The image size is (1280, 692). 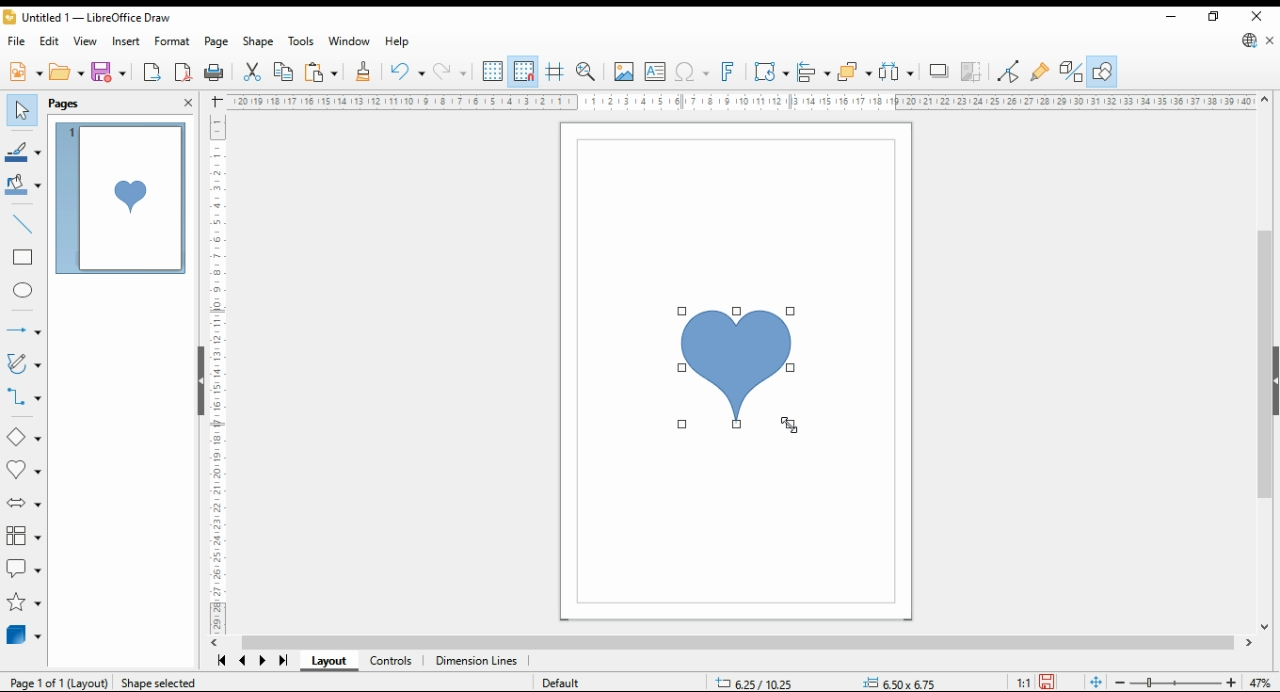 What do you see at coordinates (656, 72) in the screenshot?
I see `insert text box` at bounding box center [656, 72].